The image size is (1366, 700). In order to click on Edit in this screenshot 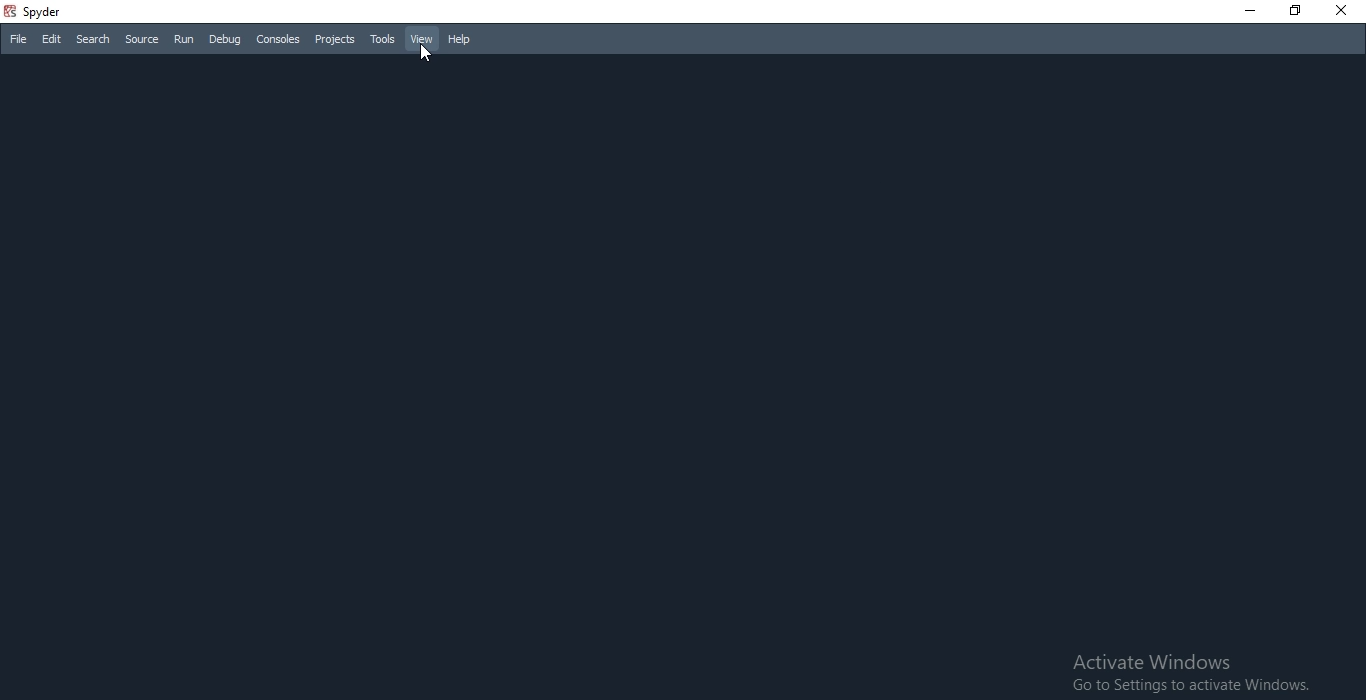, I will do `click(53, 41)`.